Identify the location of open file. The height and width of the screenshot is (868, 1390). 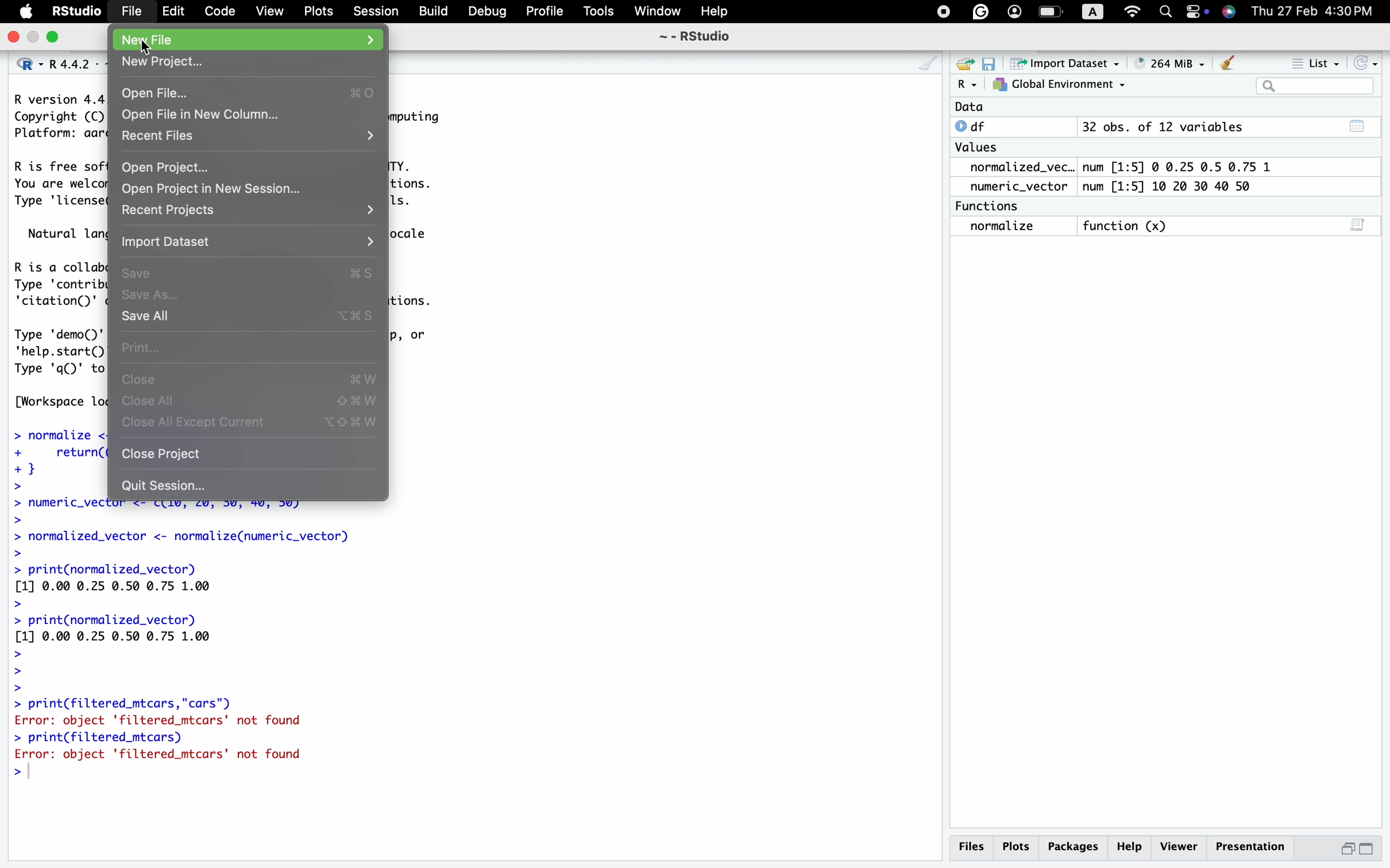
(248, 92).